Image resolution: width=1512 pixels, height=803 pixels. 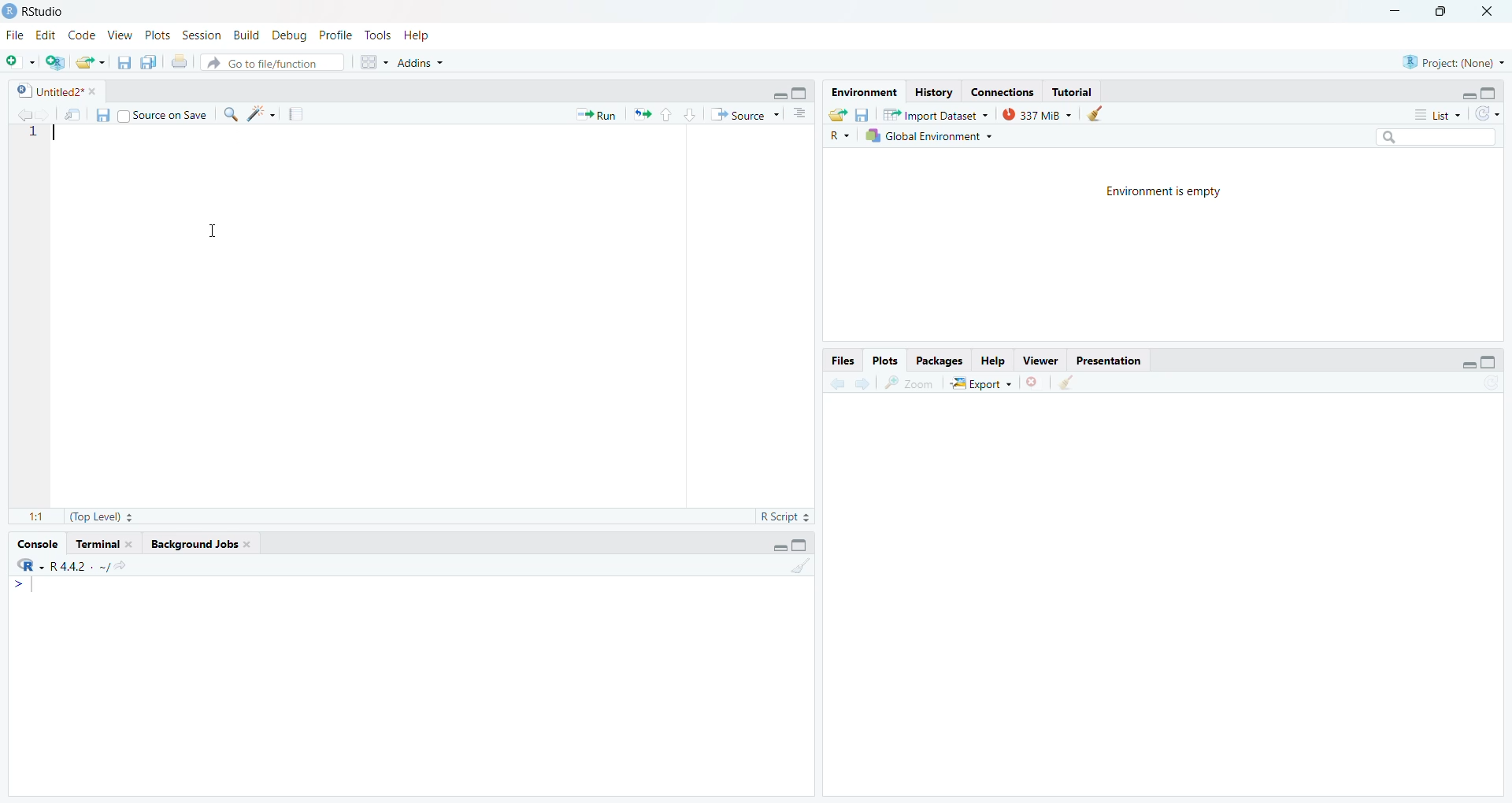 What do you see at coordinates (376, 37) in the screenshot?
I see `Tools` at bounding box center [376, 37].